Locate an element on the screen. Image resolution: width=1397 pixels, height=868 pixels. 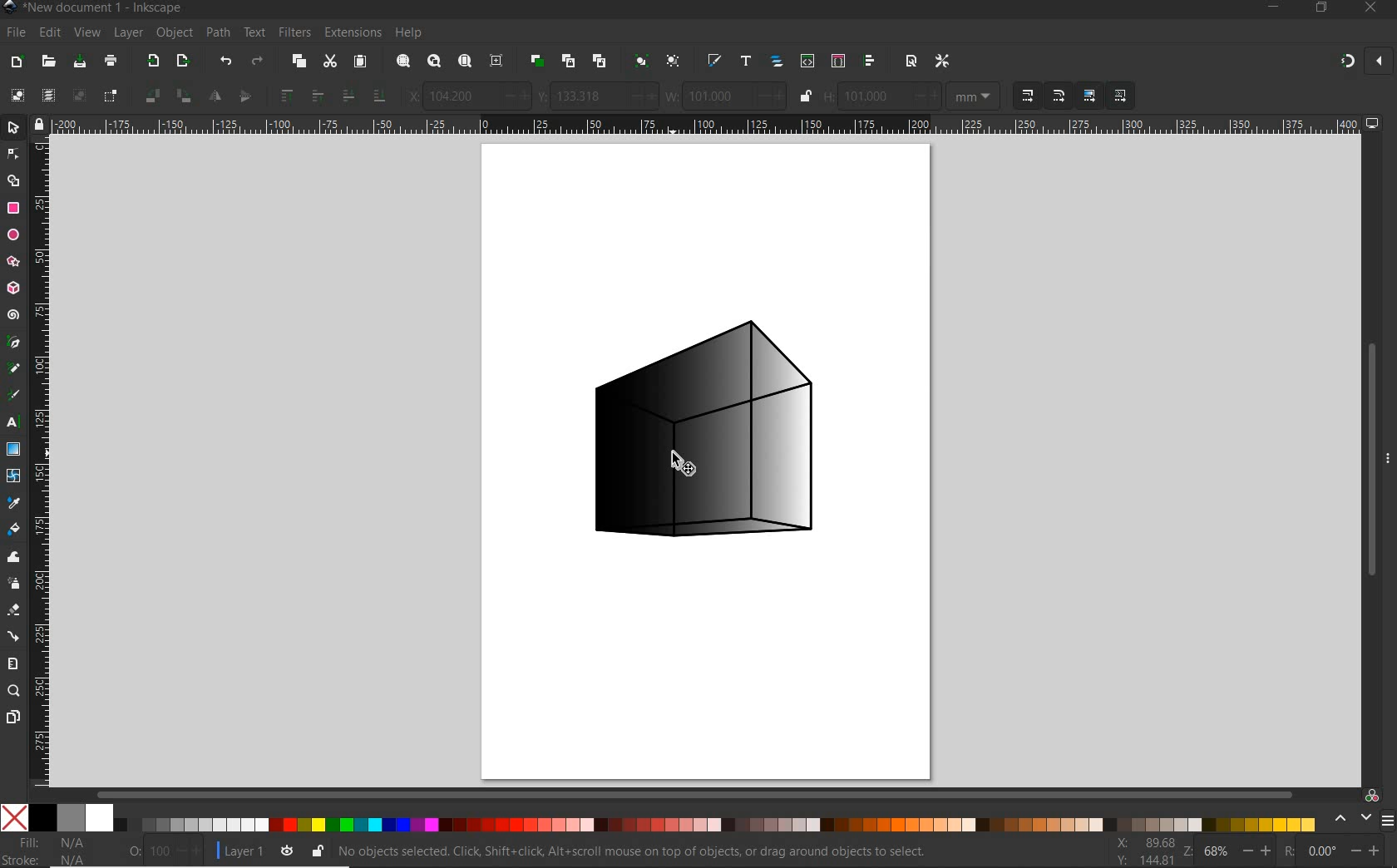
SELECT ALL IN ALL LAYERS is located at coordinates (47, 95).